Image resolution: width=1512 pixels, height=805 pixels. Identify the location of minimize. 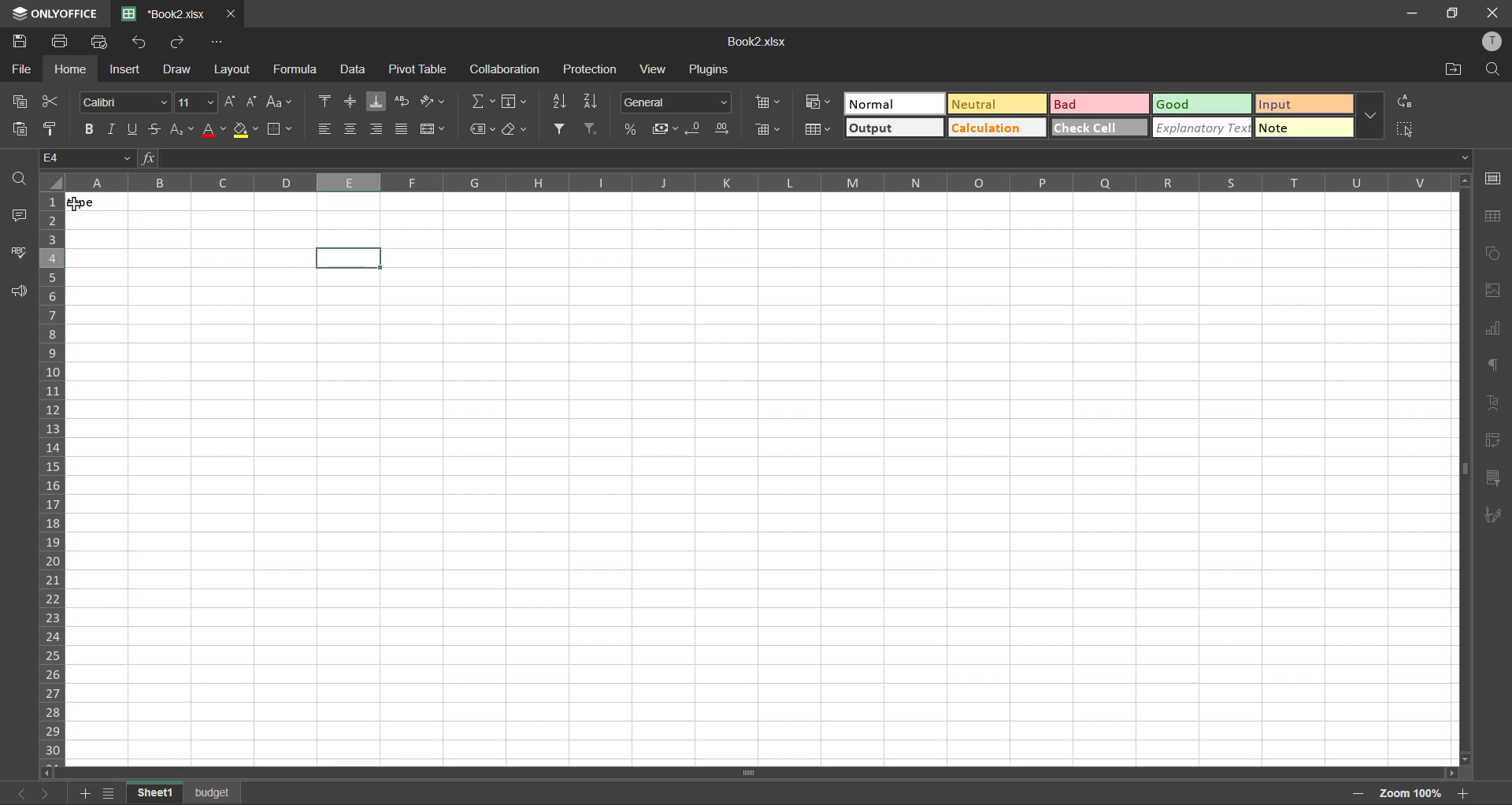
(1414, 13).